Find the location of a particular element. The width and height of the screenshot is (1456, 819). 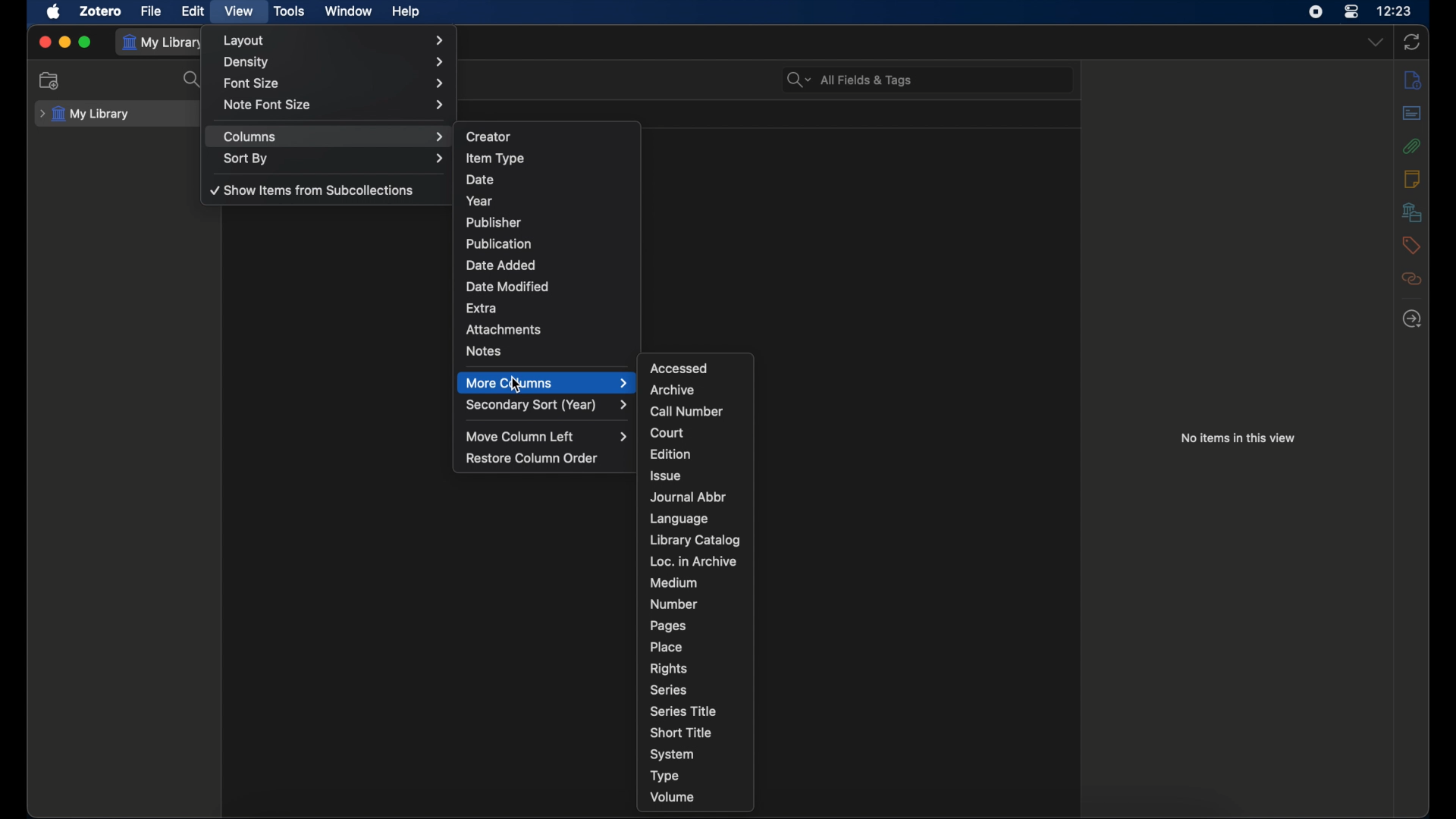

series is located at coordinates (669, 690).